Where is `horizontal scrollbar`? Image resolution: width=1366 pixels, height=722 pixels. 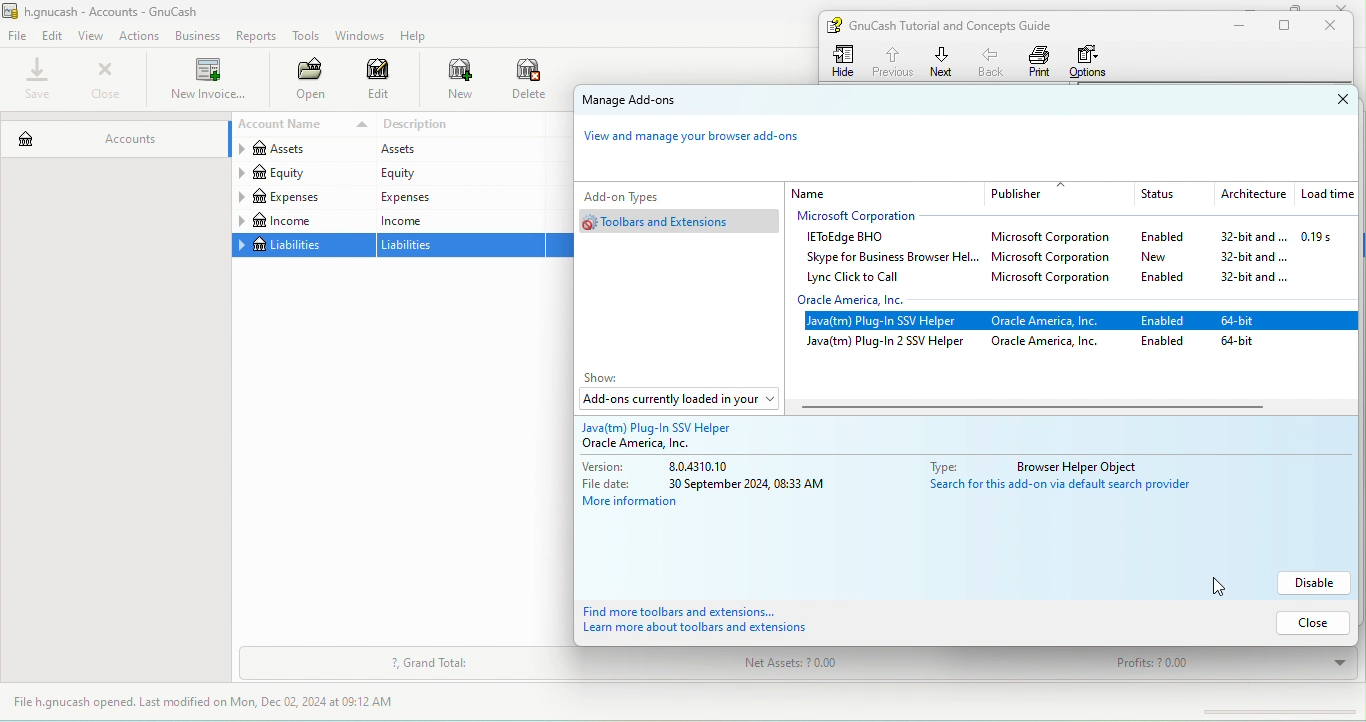 horizontal scrollbar is located at coordinates (1030, 408).